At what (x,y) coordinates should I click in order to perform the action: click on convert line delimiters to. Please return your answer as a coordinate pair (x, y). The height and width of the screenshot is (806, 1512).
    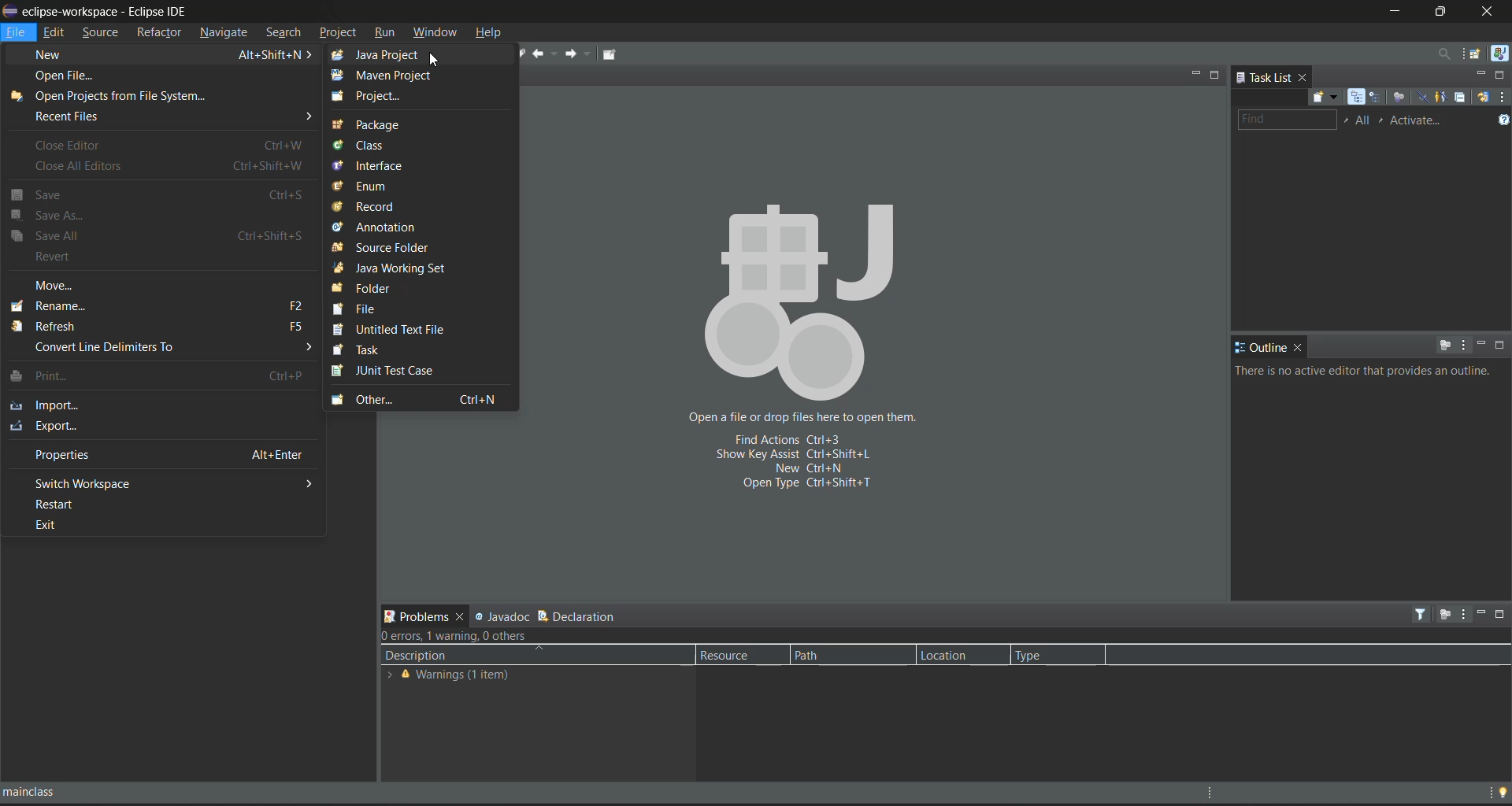
    Looking at the image, I should click on (169, 347).